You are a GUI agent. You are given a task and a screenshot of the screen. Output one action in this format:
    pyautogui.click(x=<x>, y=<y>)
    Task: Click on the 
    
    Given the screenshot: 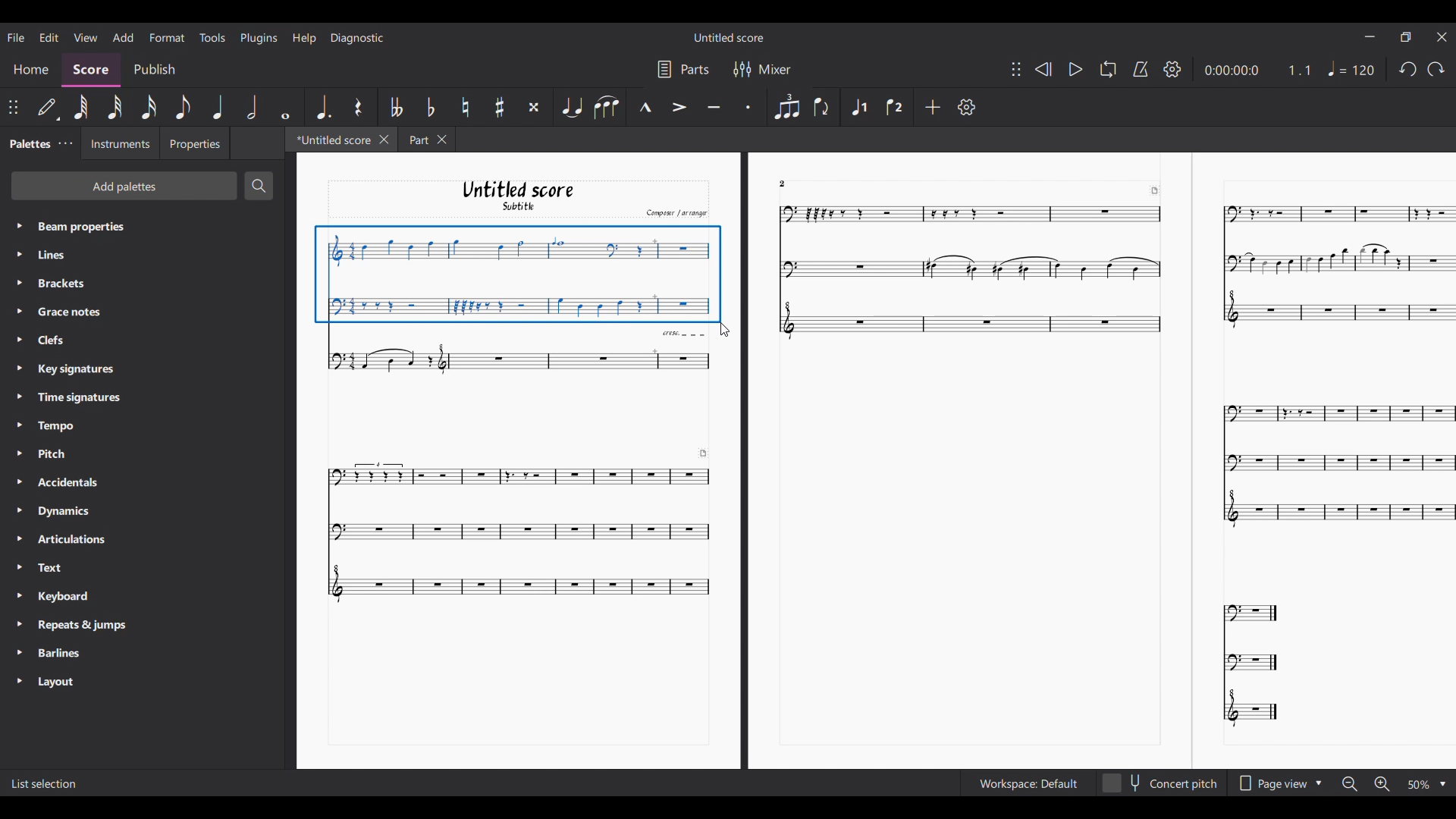 What is the action you would take?
    pyautogui.click(x=1337, y=511)
    